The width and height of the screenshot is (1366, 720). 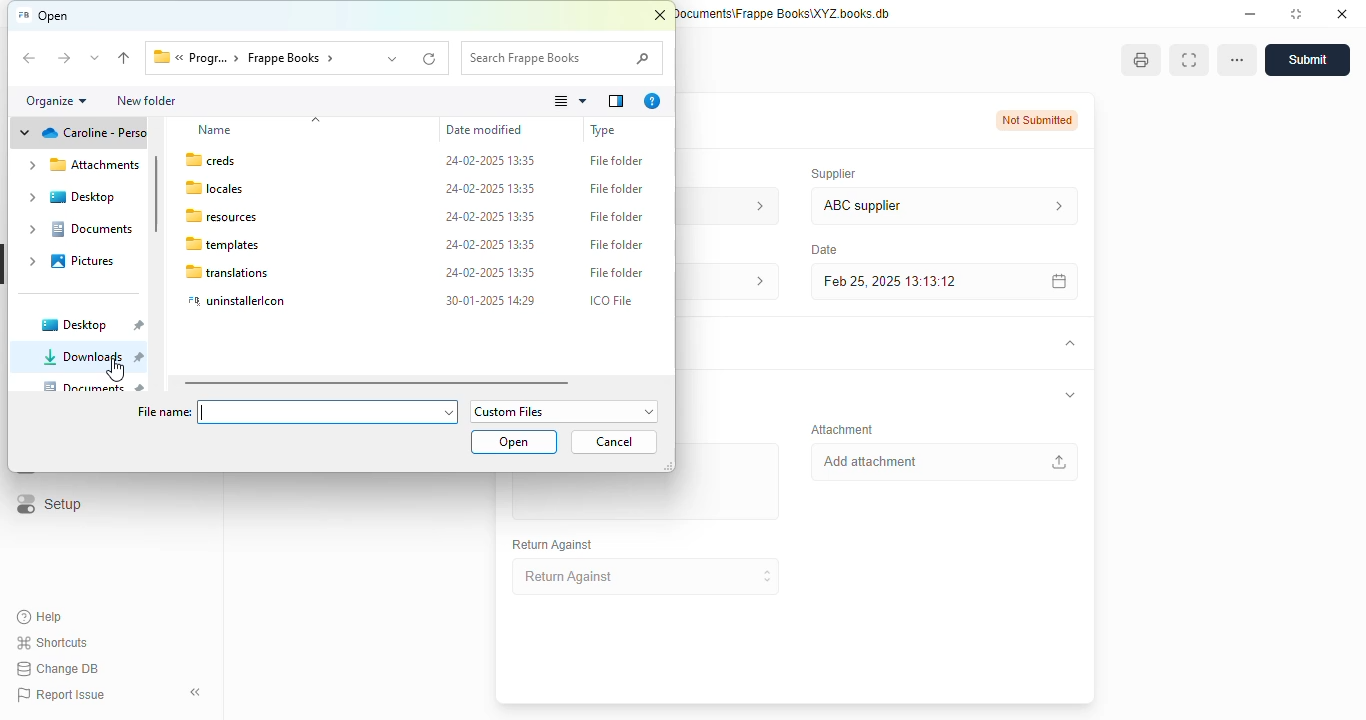 I want to click on translations, so click(x=227, y=272).